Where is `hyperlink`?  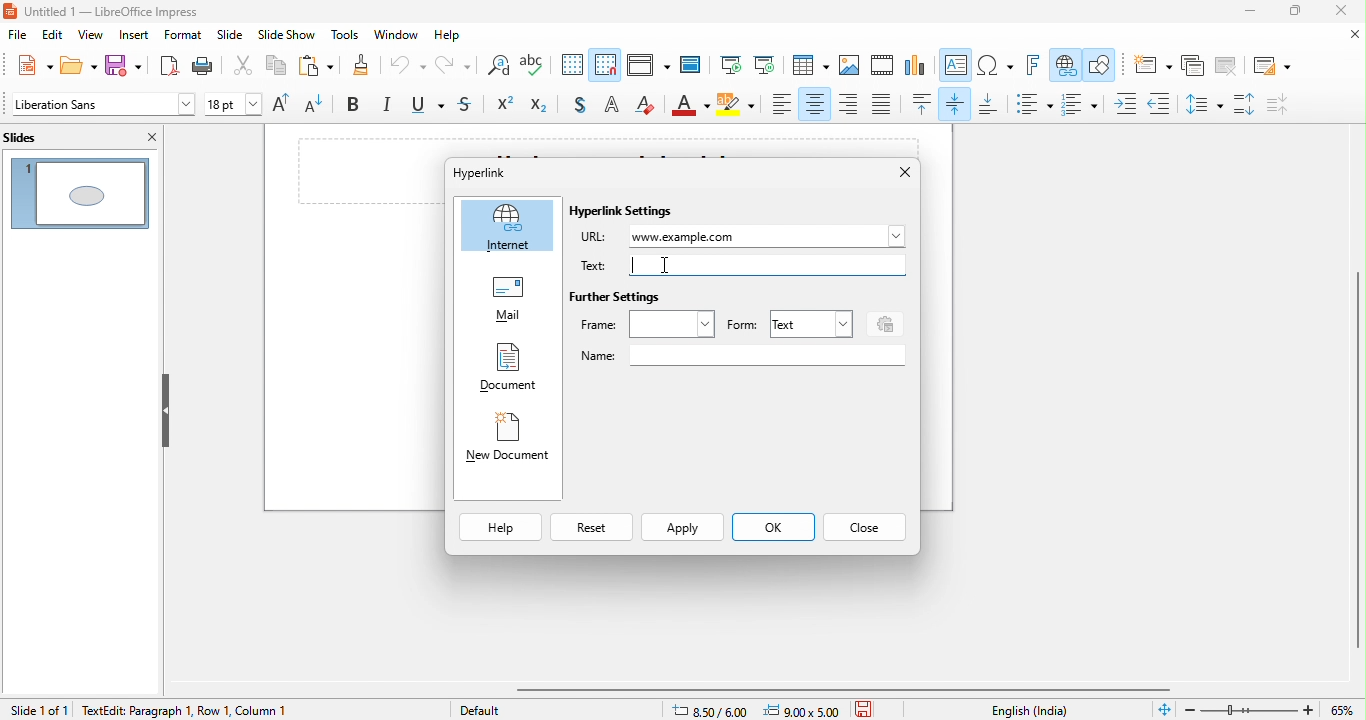 hyperlink is located at coordinates (499, 172).